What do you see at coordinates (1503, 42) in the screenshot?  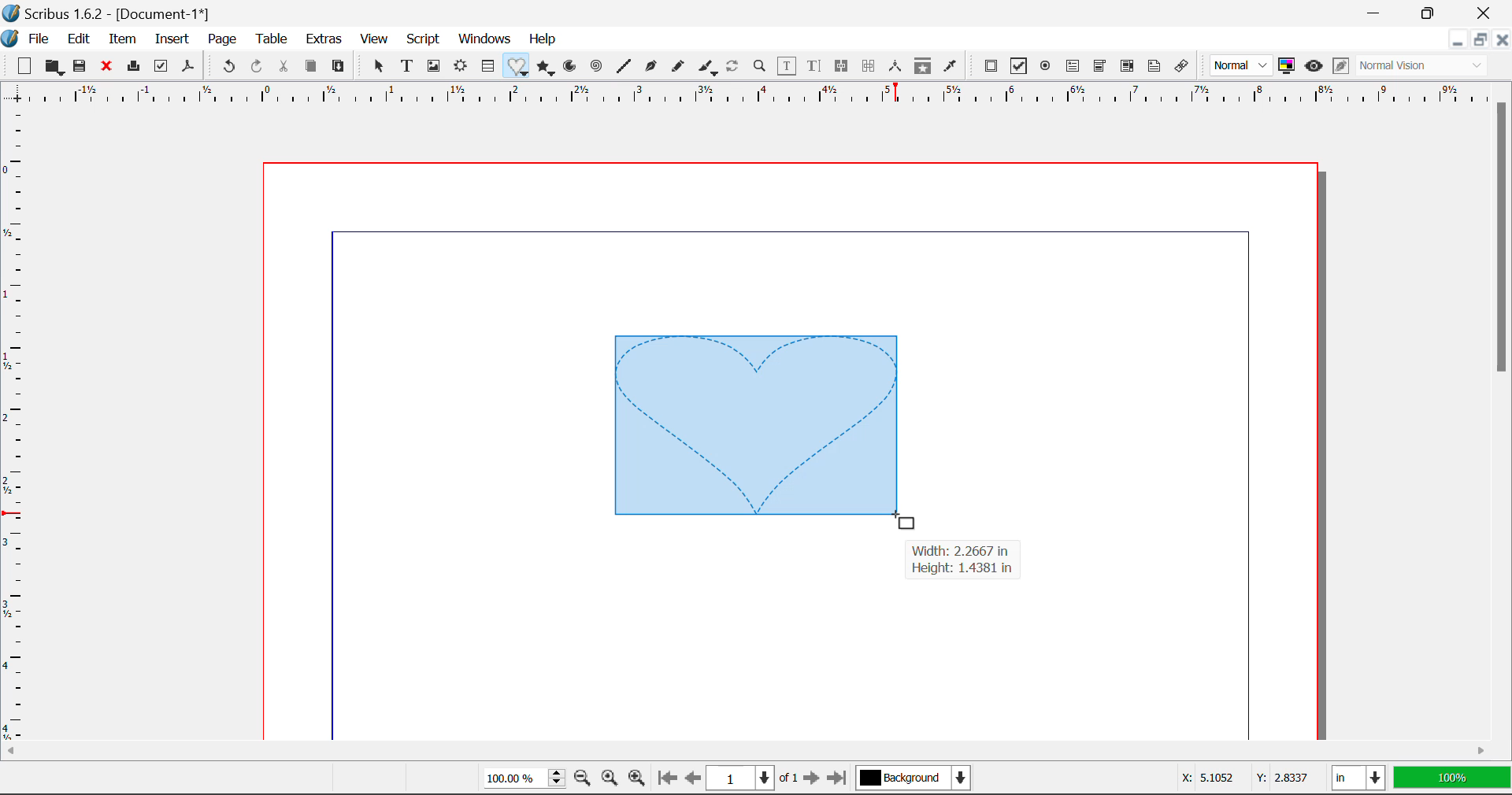 I see `Close` at bounding box center [1503, 42].